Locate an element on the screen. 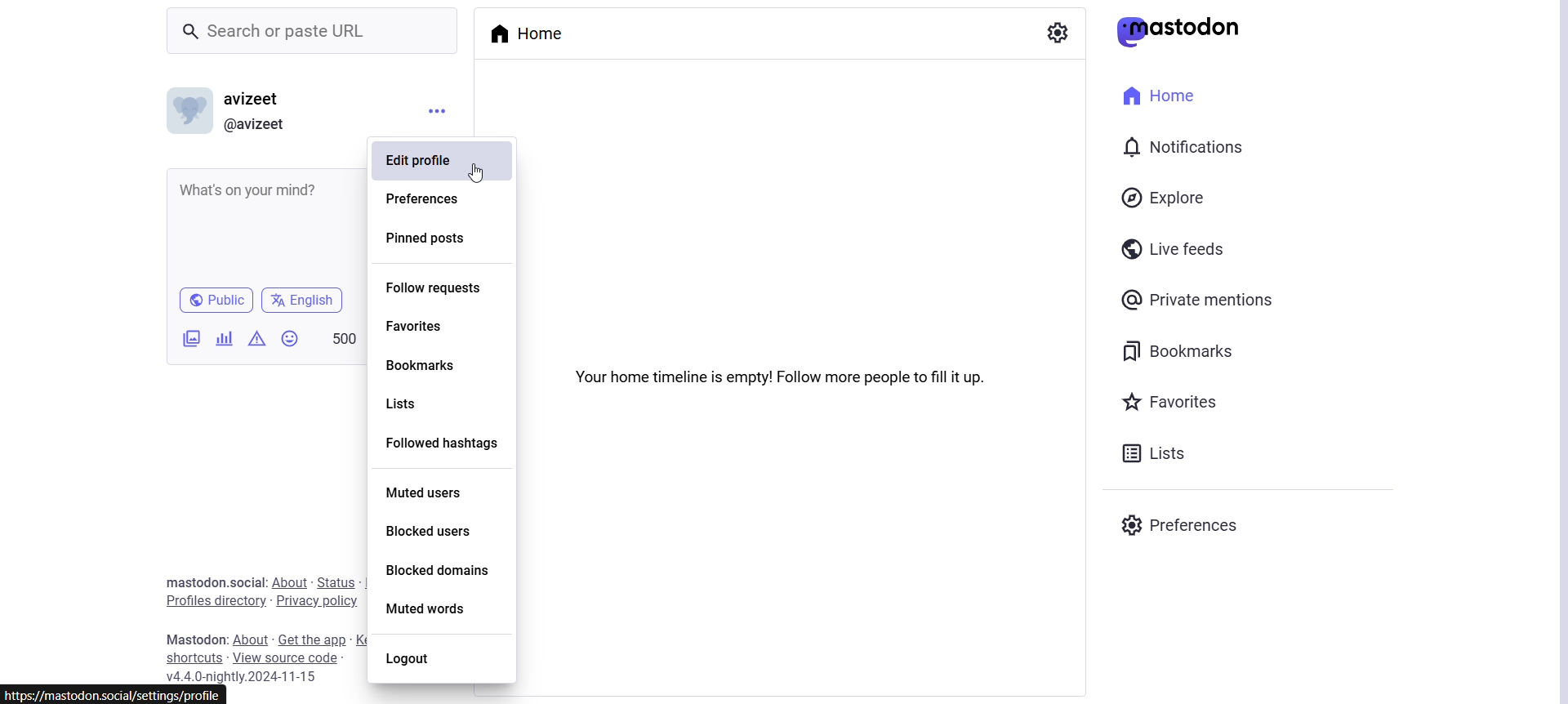  Private Mentions is located at coordinates (1202, 300).